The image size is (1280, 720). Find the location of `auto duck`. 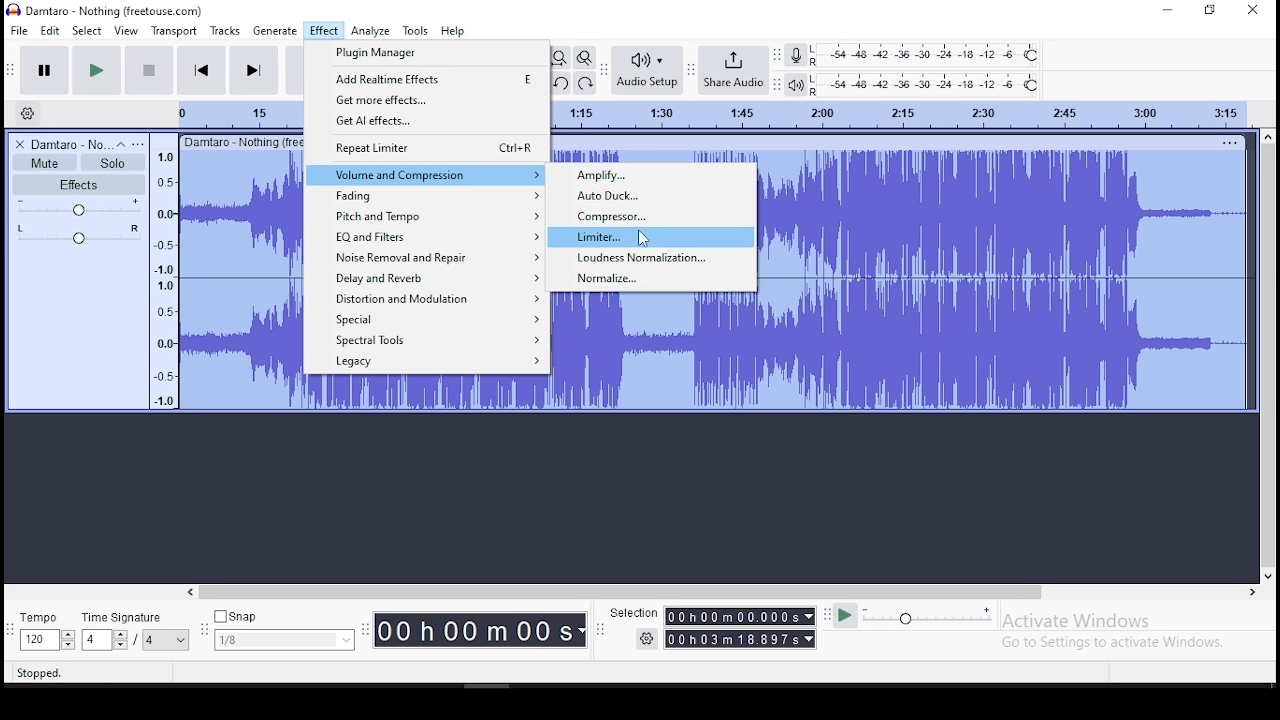

auto duck is located at coordinates (653, 197).